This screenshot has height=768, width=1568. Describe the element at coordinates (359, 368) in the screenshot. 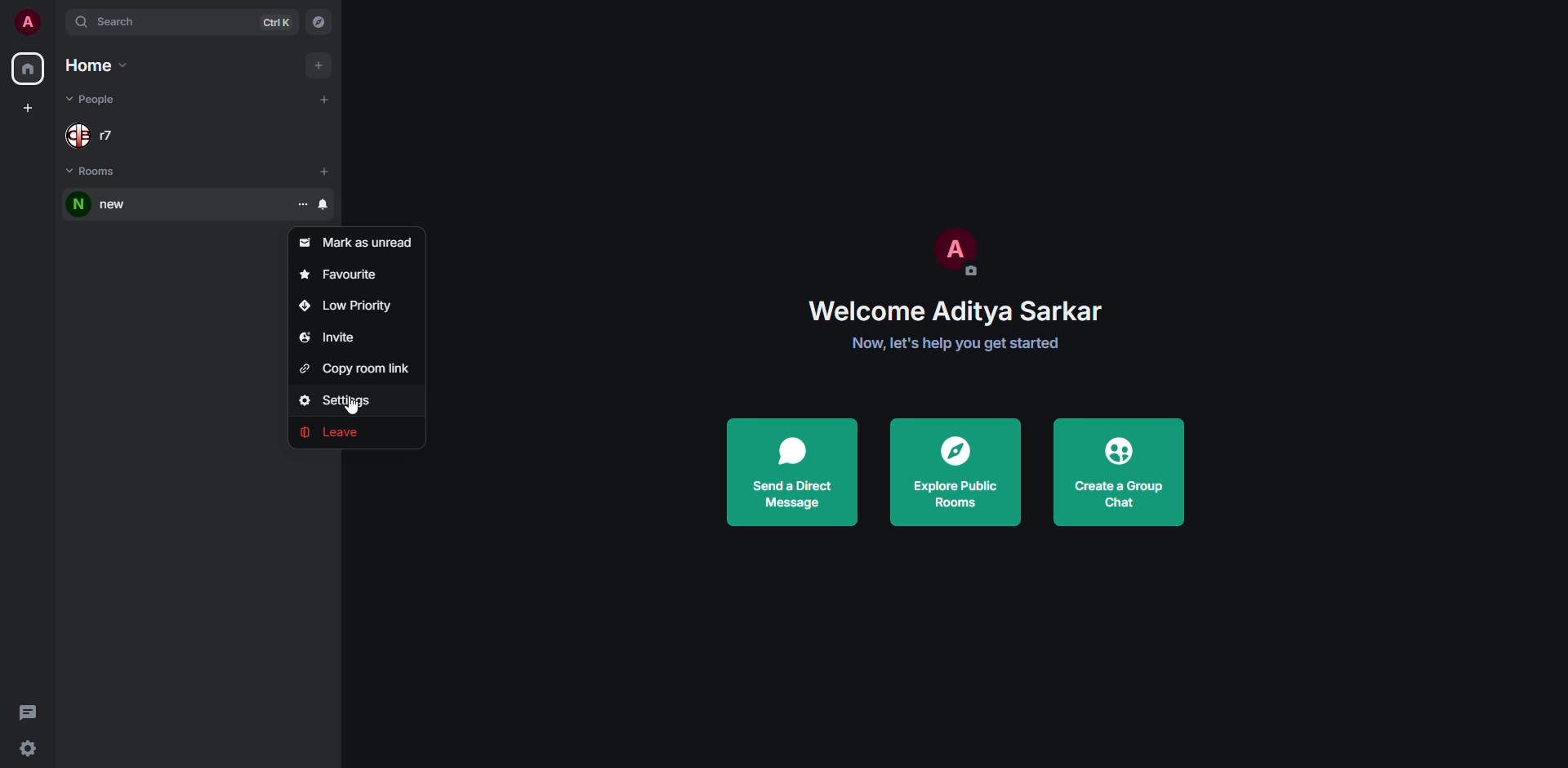

I see `copy room link` at that location.